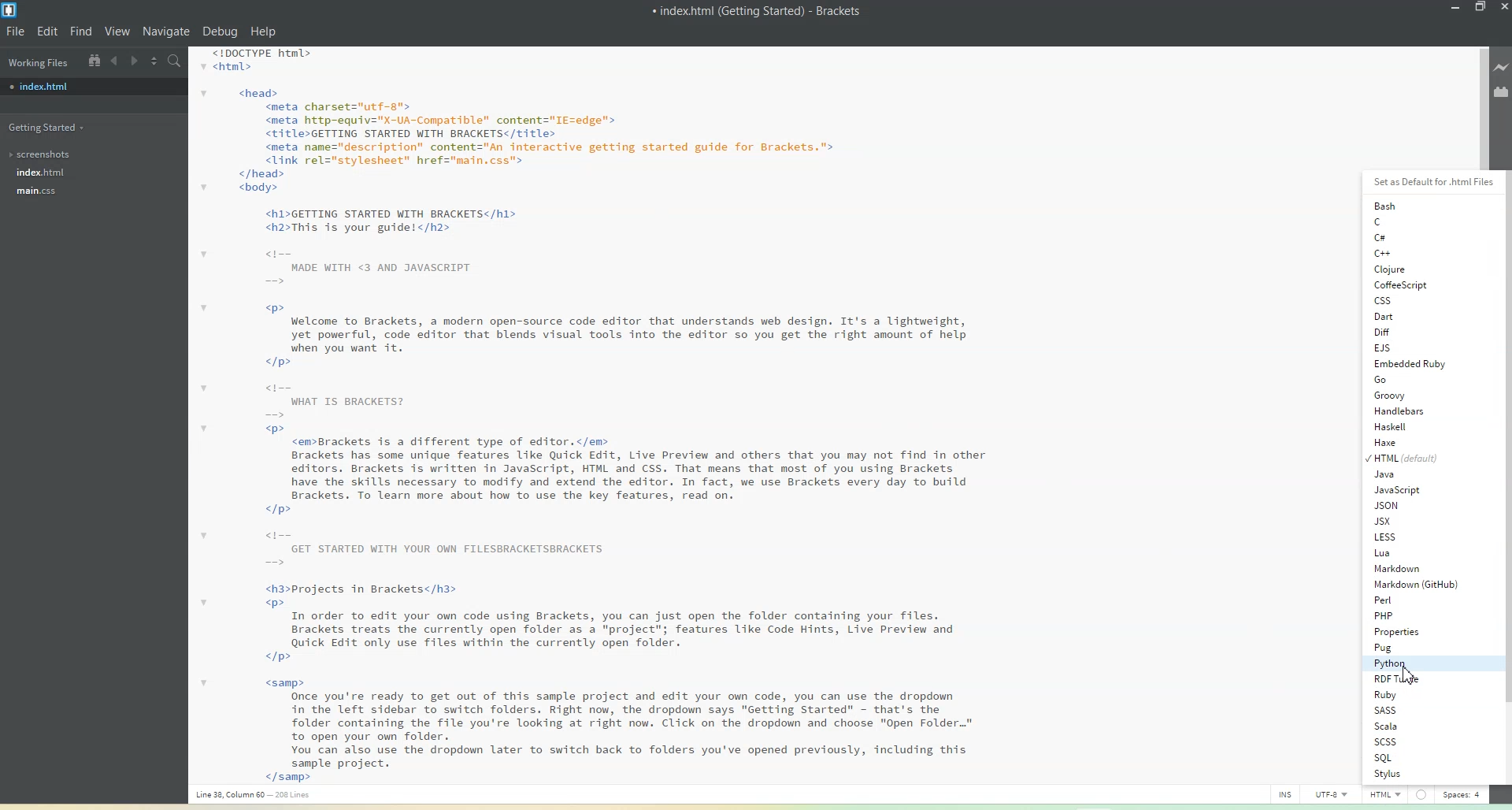 This screenshot has width=1512, height=810. What do you see at coordinates (1400, 316) in the screenshot?
I see `Dart` at bounding box center [1400, 316].